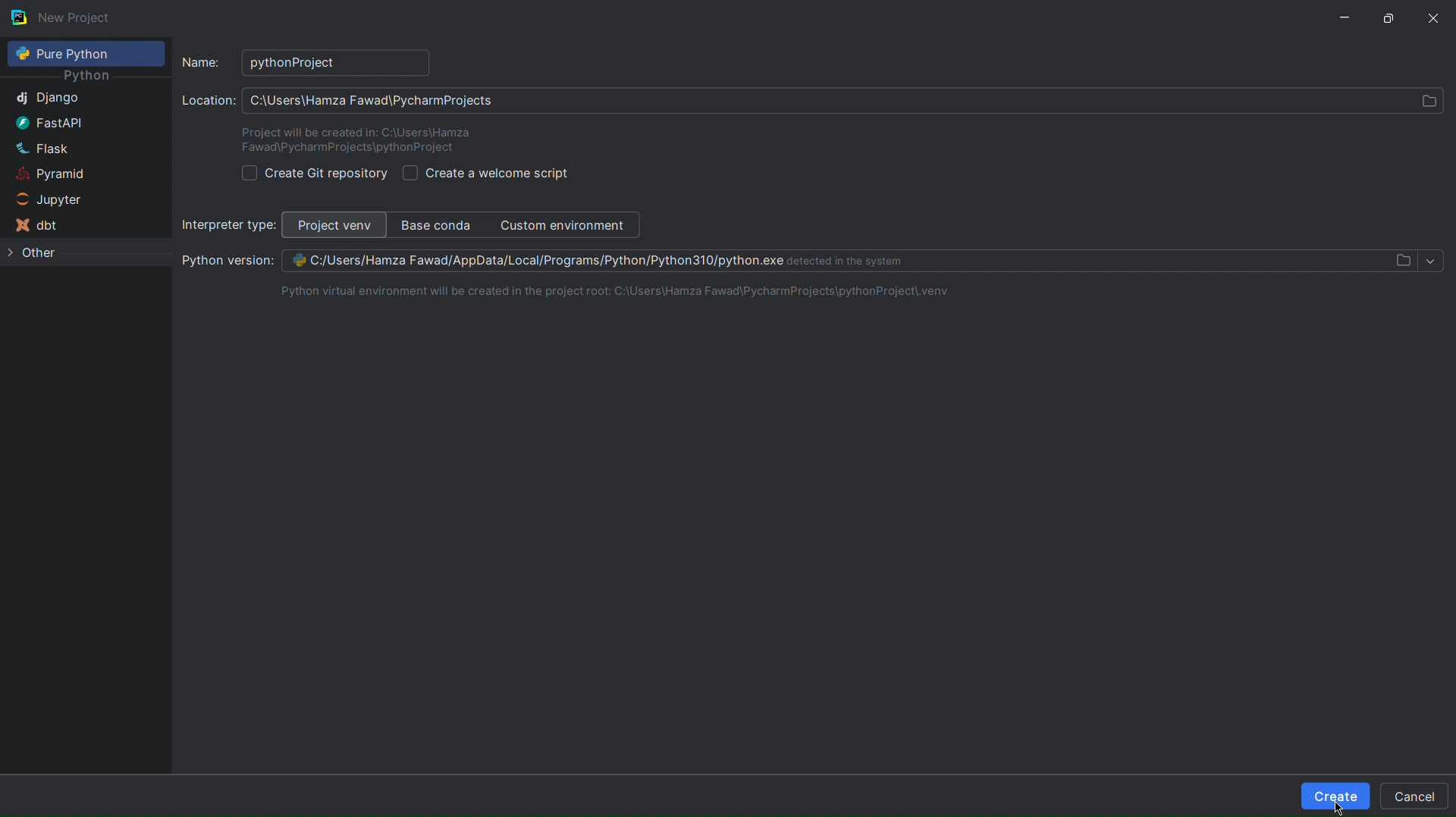 This screenshot has height=817, width=1456. I want to click on Pyramid, so click(47, 173).